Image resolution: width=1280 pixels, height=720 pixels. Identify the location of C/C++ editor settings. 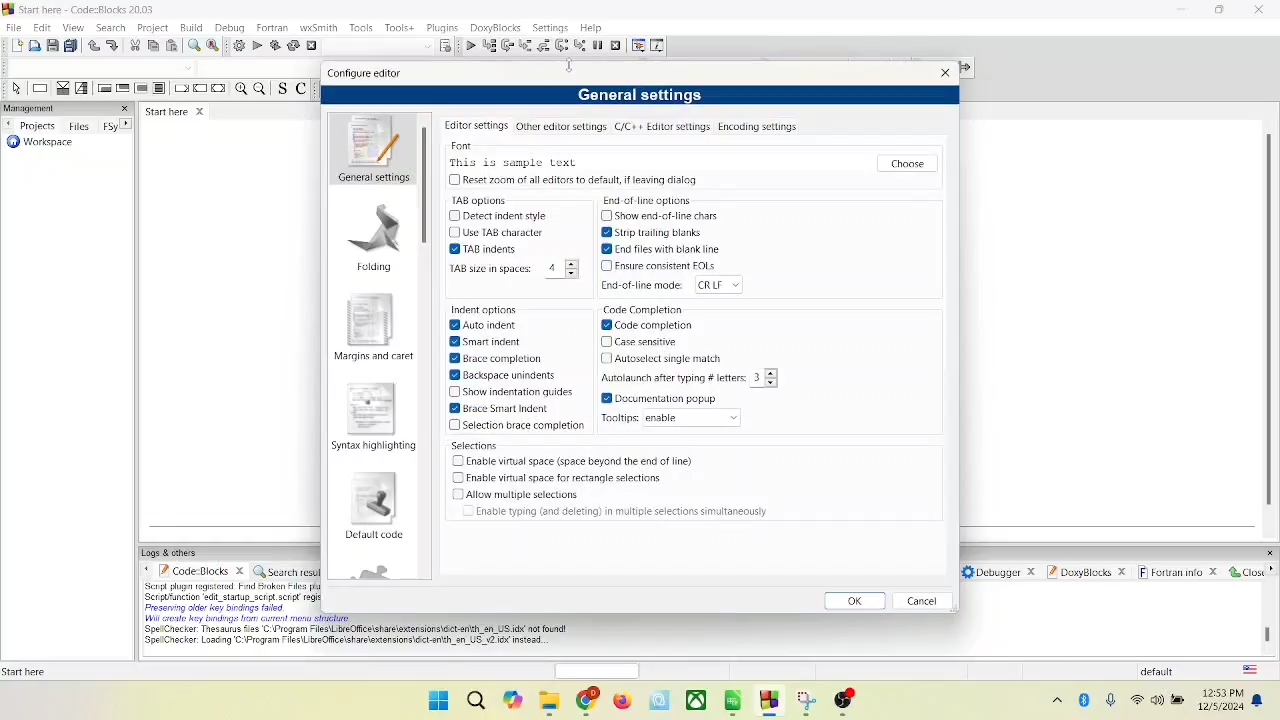
(663, 127).